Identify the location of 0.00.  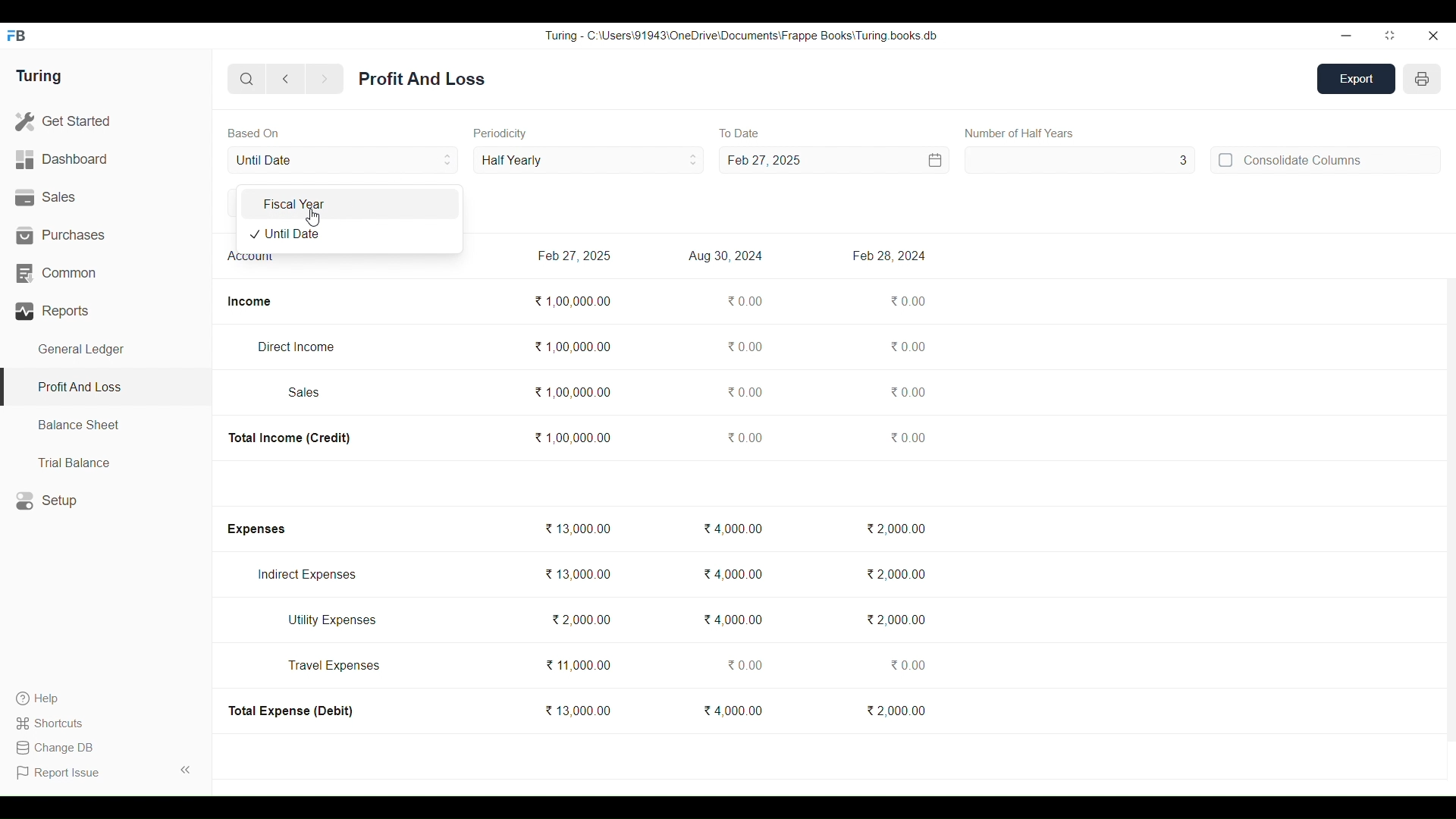
(908, 437).